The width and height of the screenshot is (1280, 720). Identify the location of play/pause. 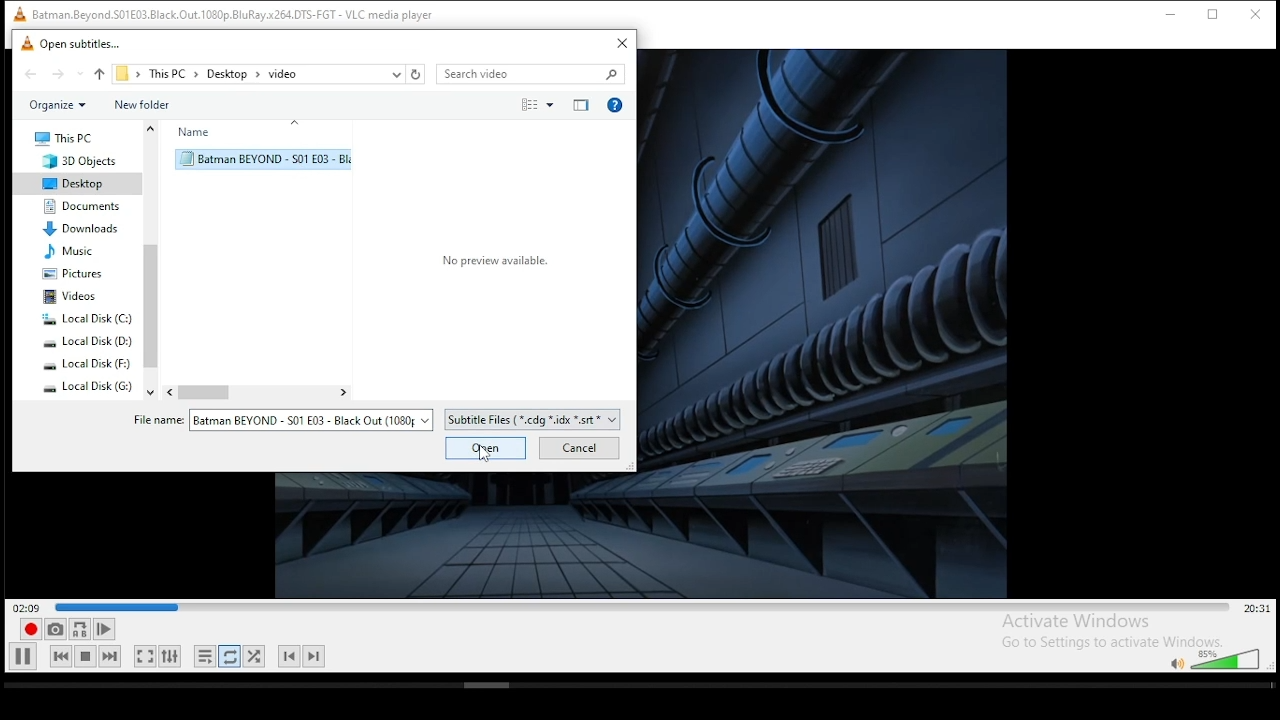
(23, 657).